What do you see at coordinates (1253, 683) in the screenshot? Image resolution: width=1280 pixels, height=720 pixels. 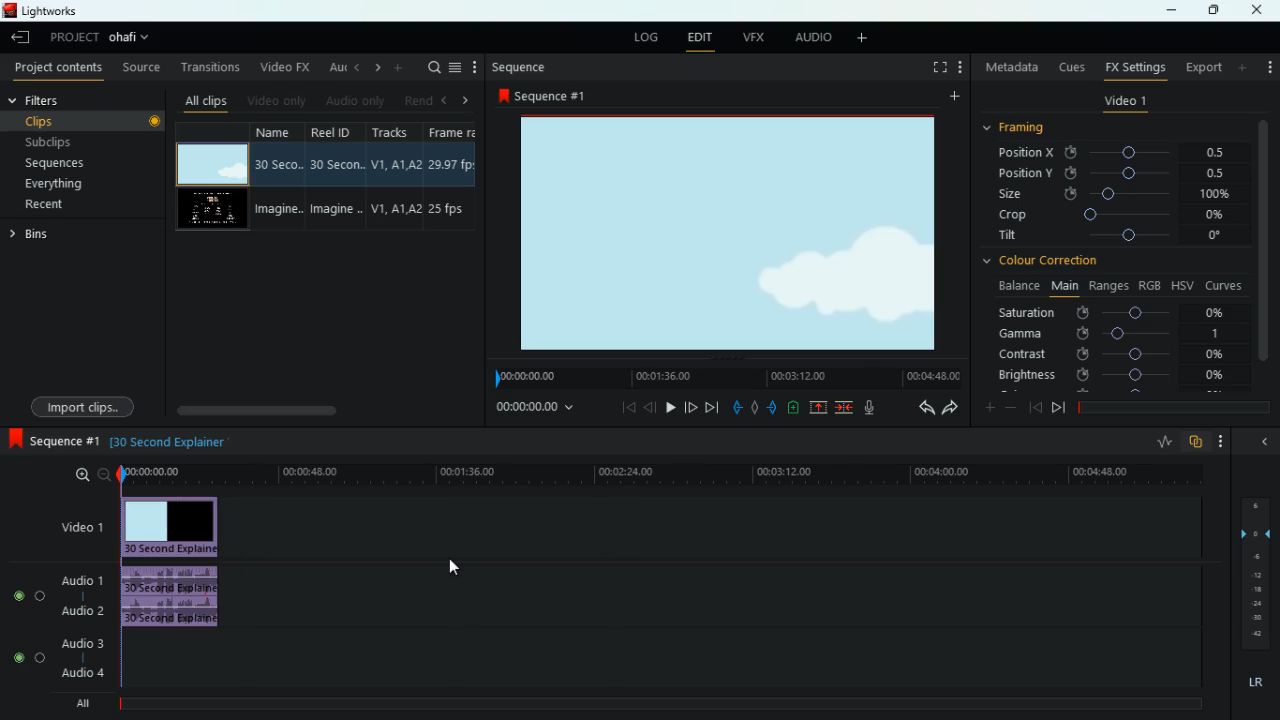 I see `lr` at bounding box center [1253, 683].